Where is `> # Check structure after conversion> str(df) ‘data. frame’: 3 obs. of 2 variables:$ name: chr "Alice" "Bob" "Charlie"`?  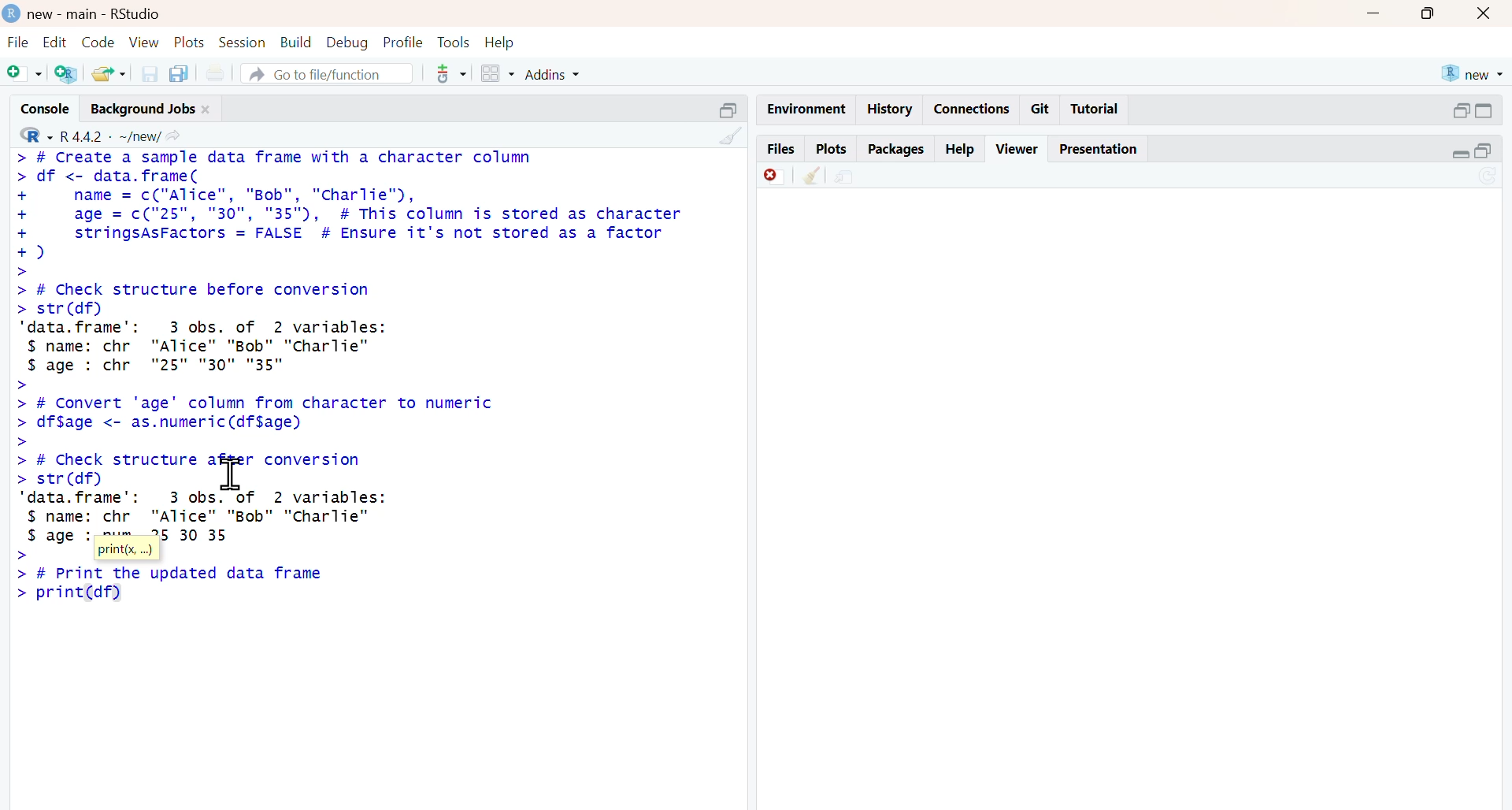 > # Check structure after conversion> str(df) ‘data. frame’: 3 obs. of 2 variables:$ name: chr "Alice" "Bob" "Charlie" is located at coordinates (205, 489).